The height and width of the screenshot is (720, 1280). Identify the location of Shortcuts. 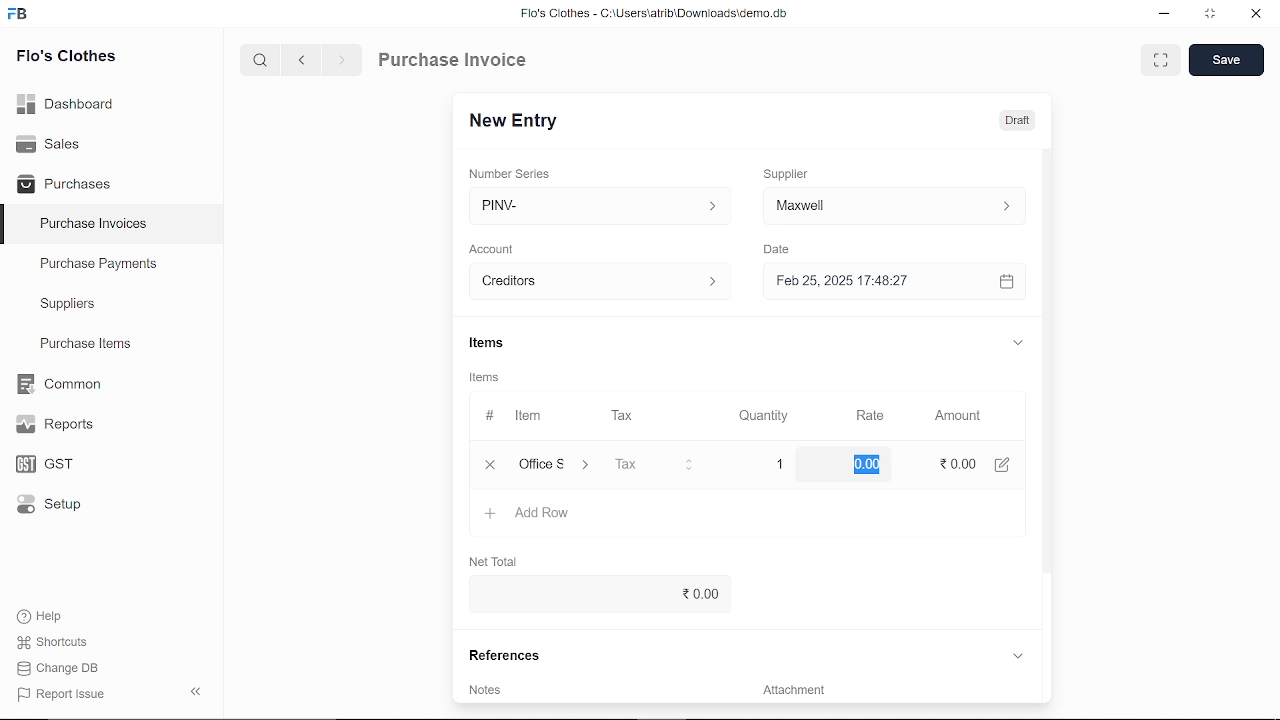
(49, 643).